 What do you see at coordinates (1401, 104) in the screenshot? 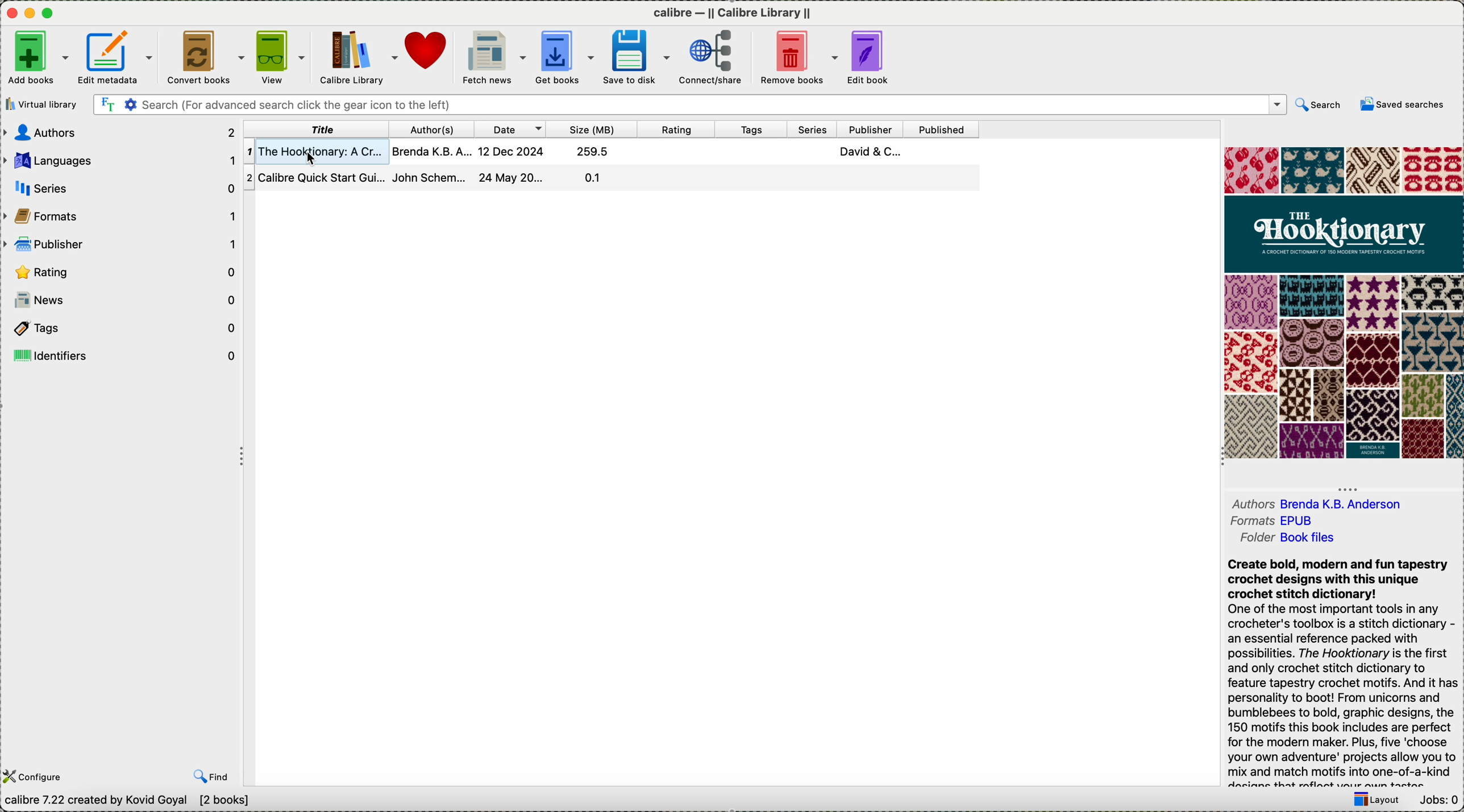
I see `saved searches` at bounding box center [1401, 104].